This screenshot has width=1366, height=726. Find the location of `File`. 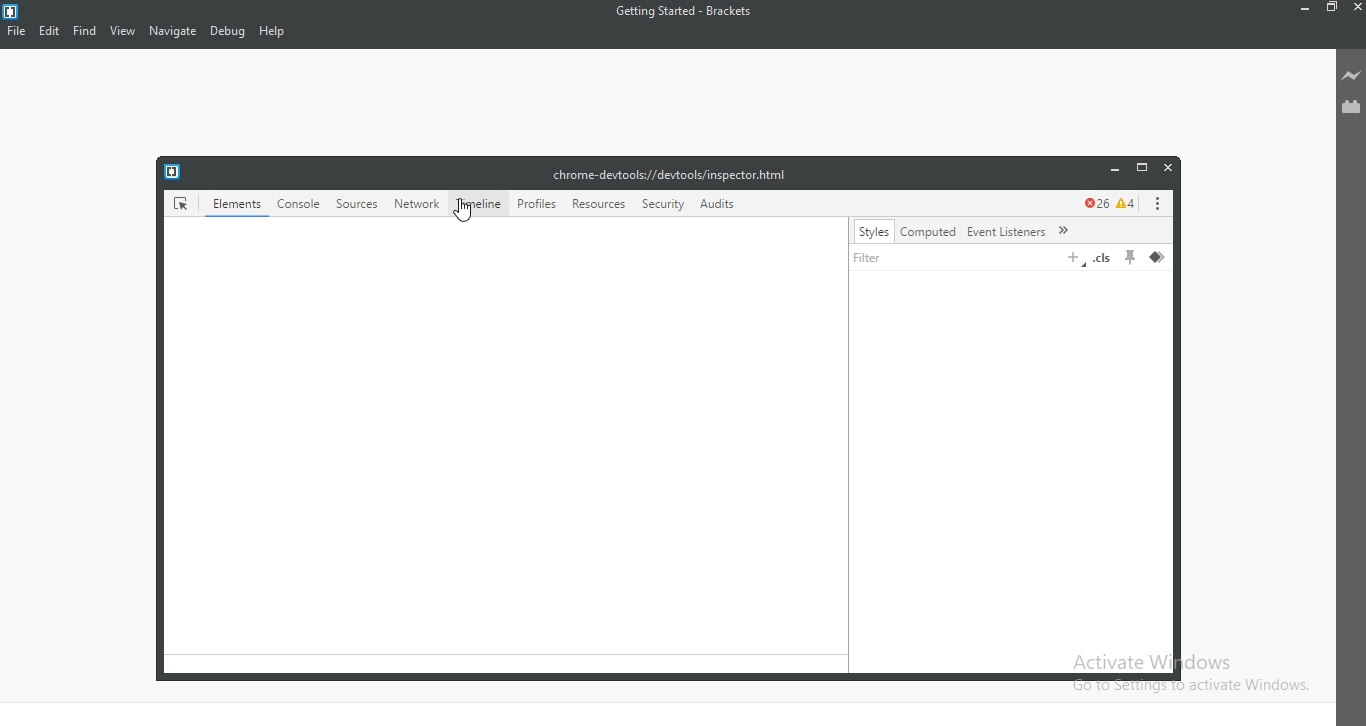

File is located at coordinates (18, 31).